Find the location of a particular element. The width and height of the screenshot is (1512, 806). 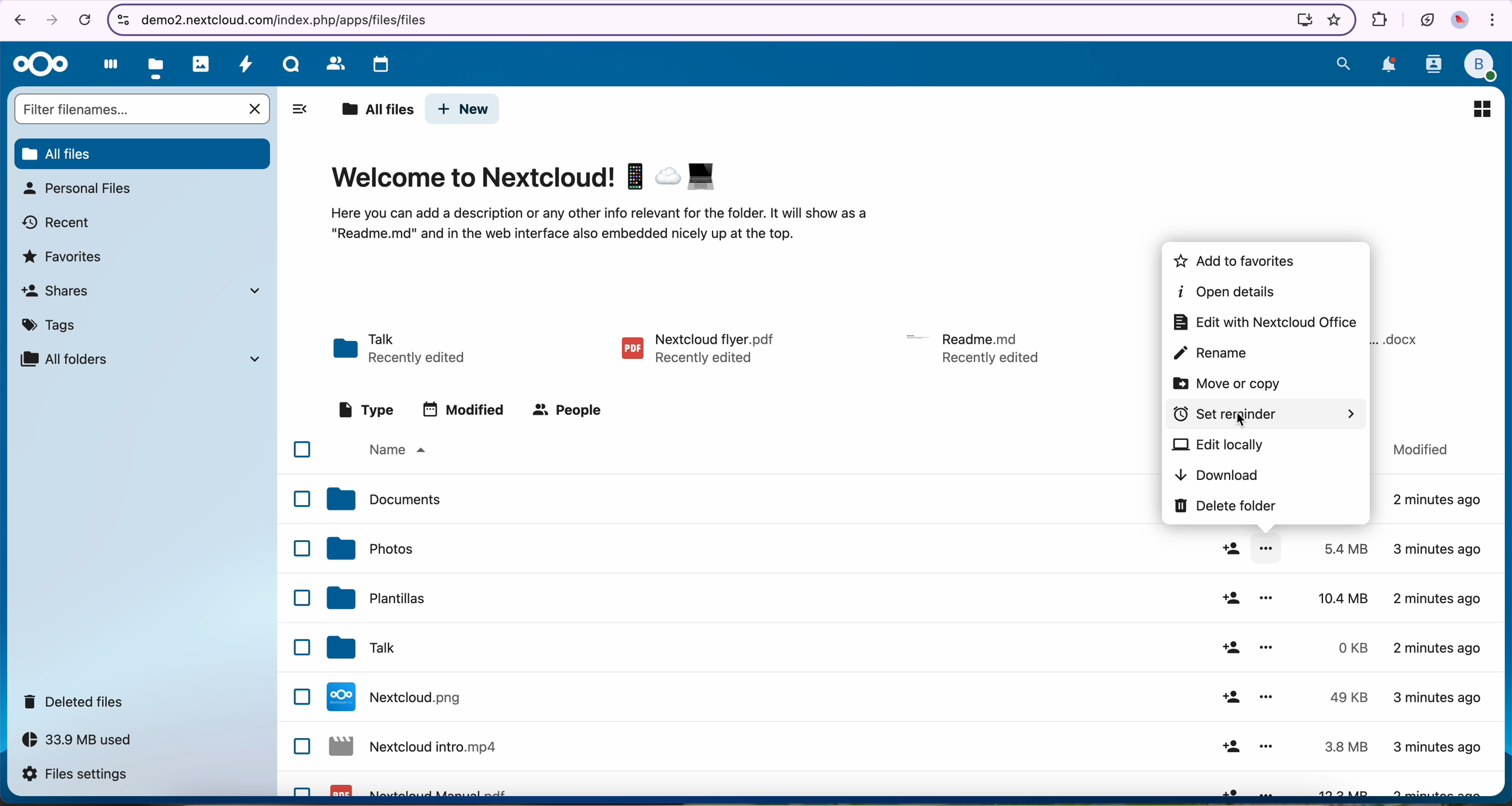

contacts is located at coordinates (1432, 66).